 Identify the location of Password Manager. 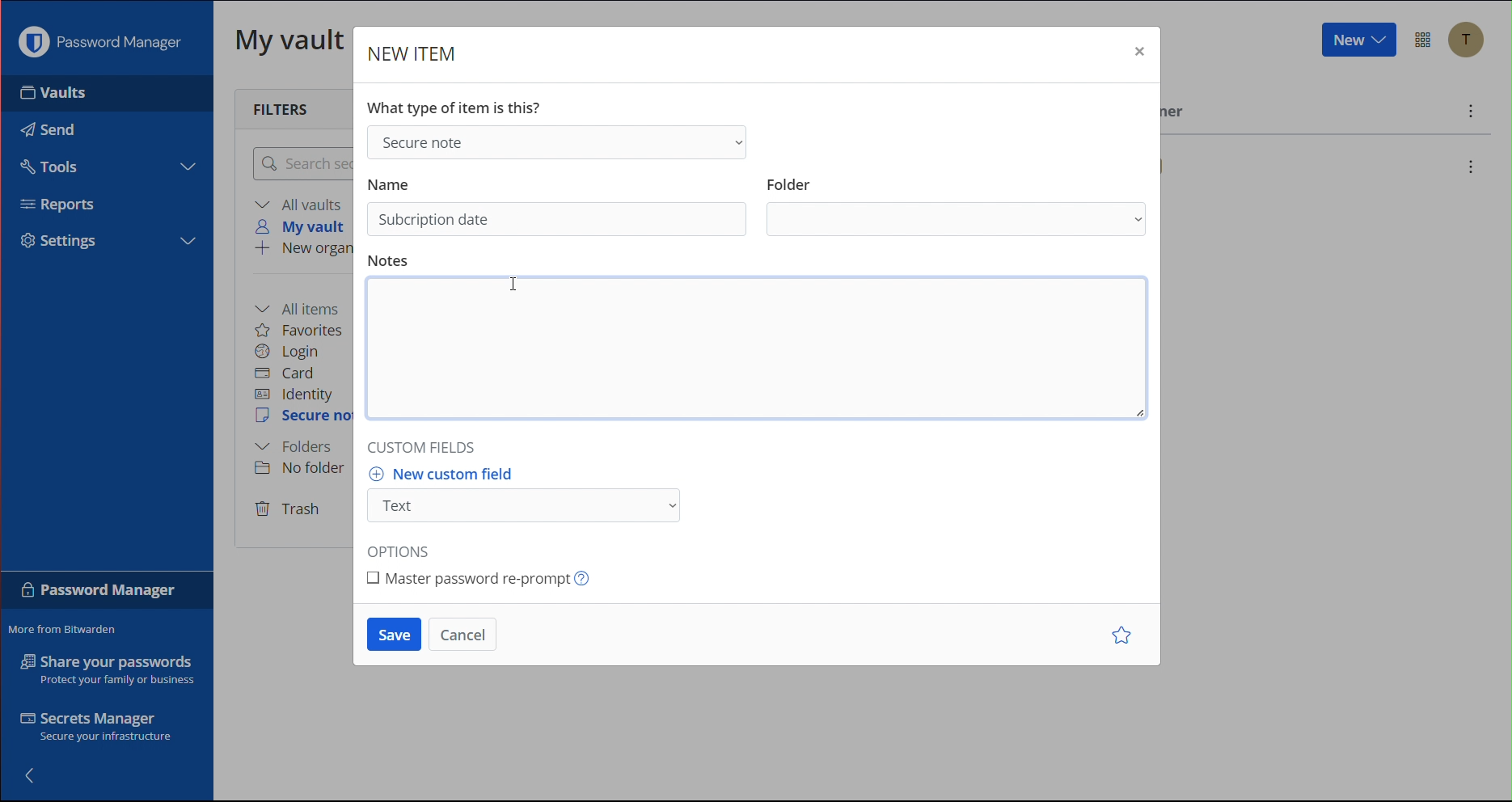
(104, 42).